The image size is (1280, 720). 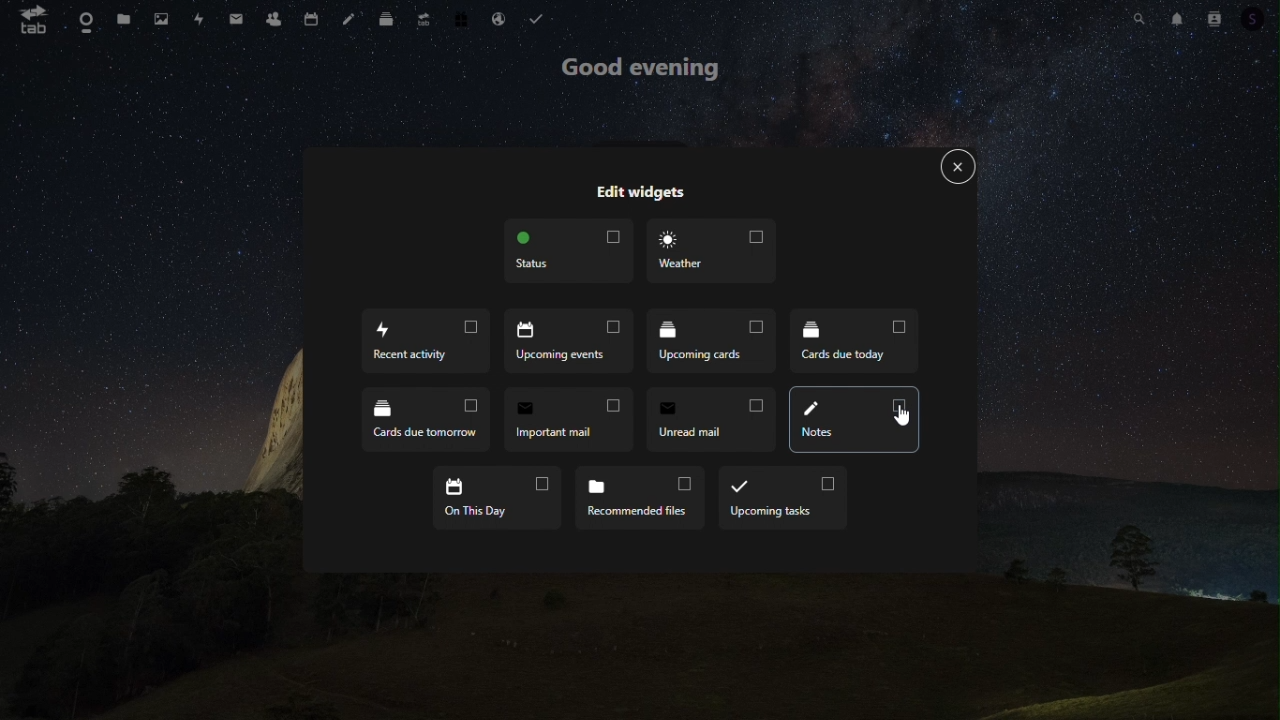 What do you see at coordinates (86, 17) in the screenshot?
I see `Dashboard` at bounding box center [86, 17].